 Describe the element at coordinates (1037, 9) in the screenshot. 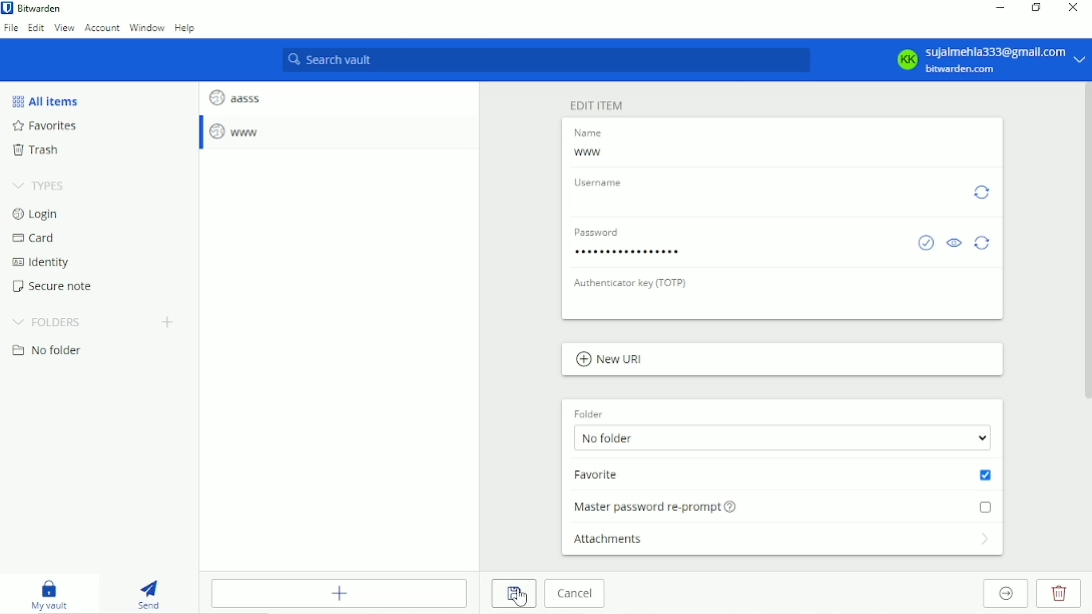

I see `Restore down` at that location.